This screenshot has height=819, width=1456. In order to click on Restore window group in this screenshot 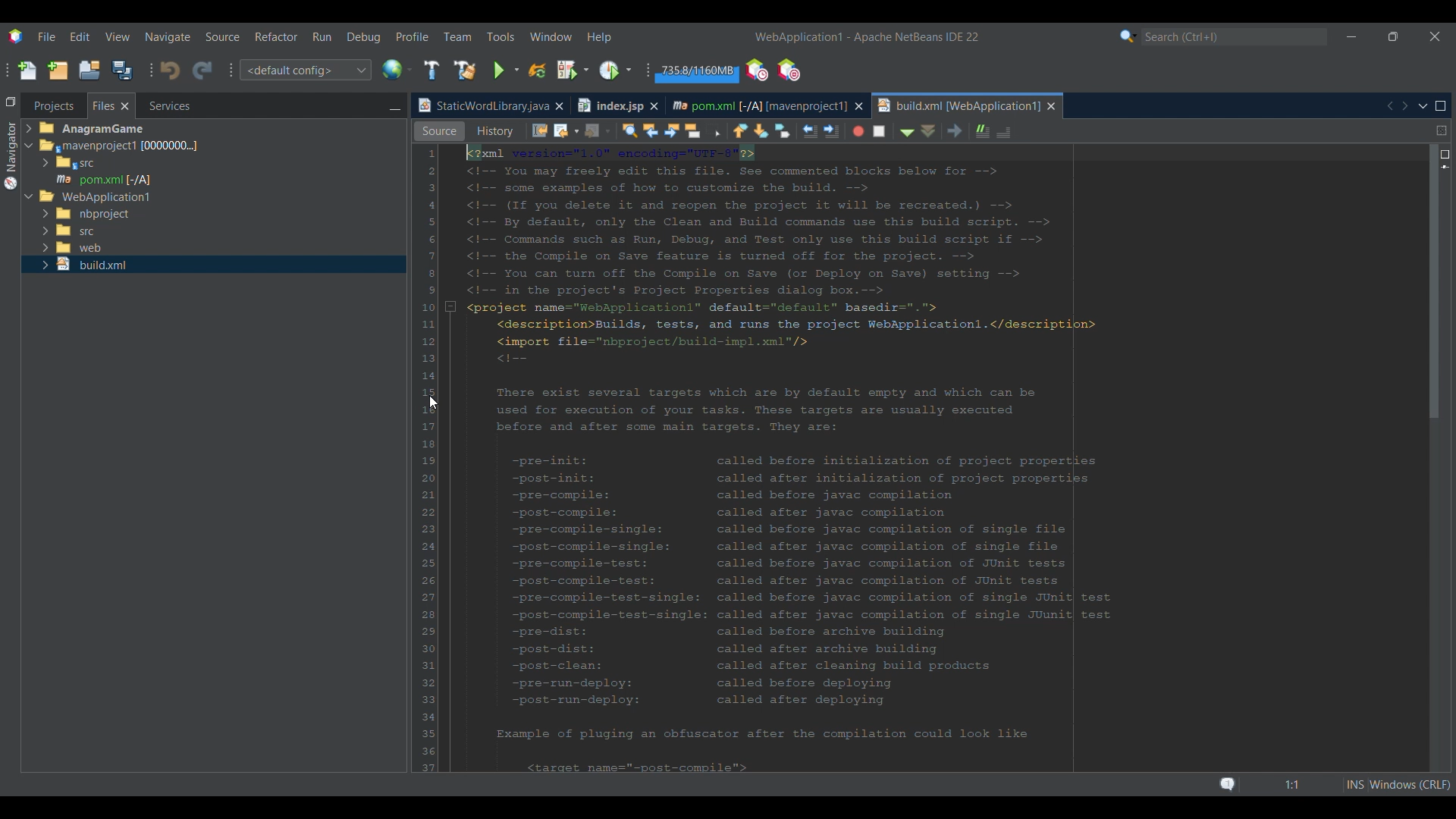, I will do `click(11, 101)`.